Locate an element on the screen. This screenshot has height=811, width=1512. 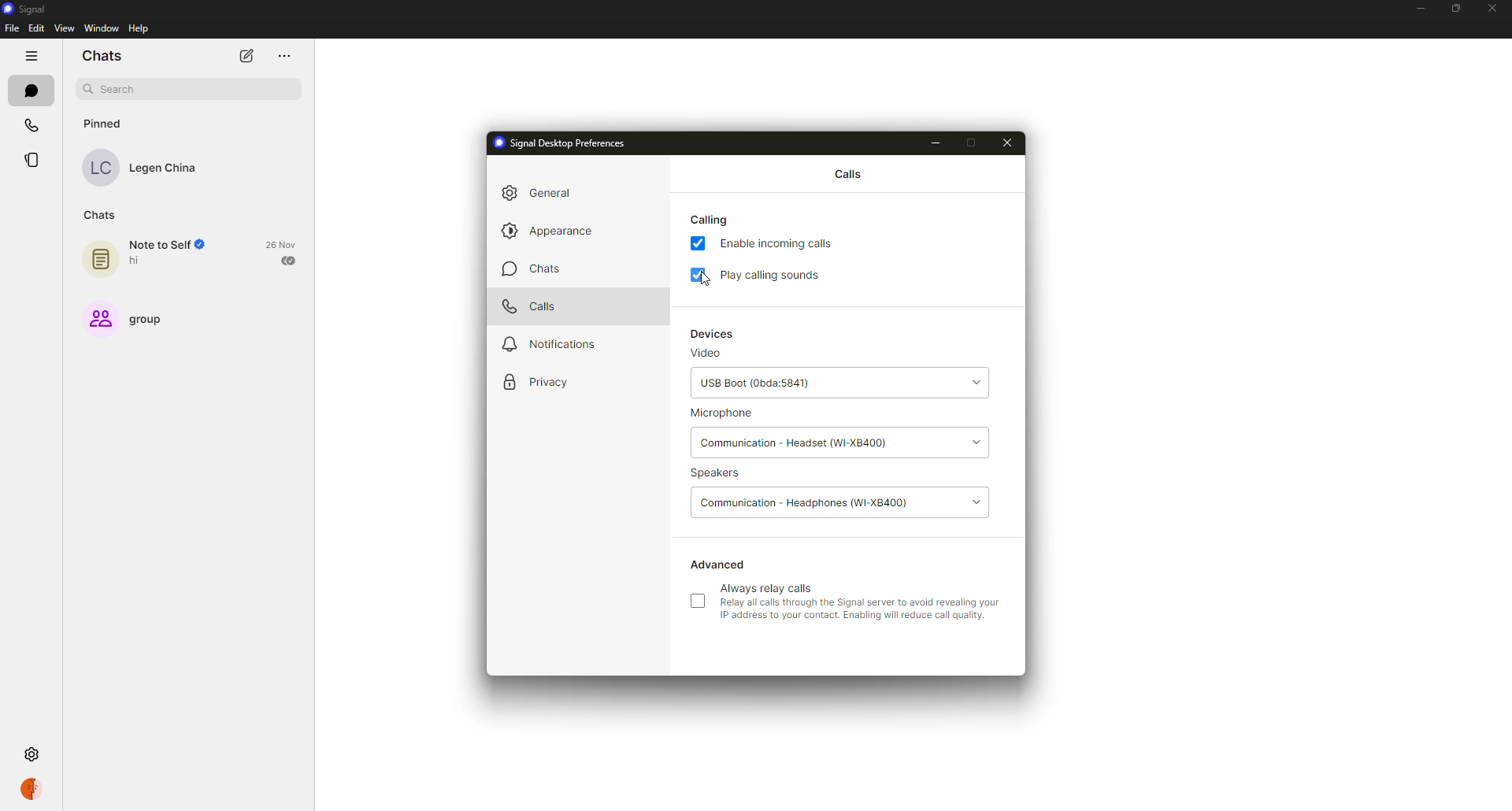
headset is located at coordinates (791, 443).